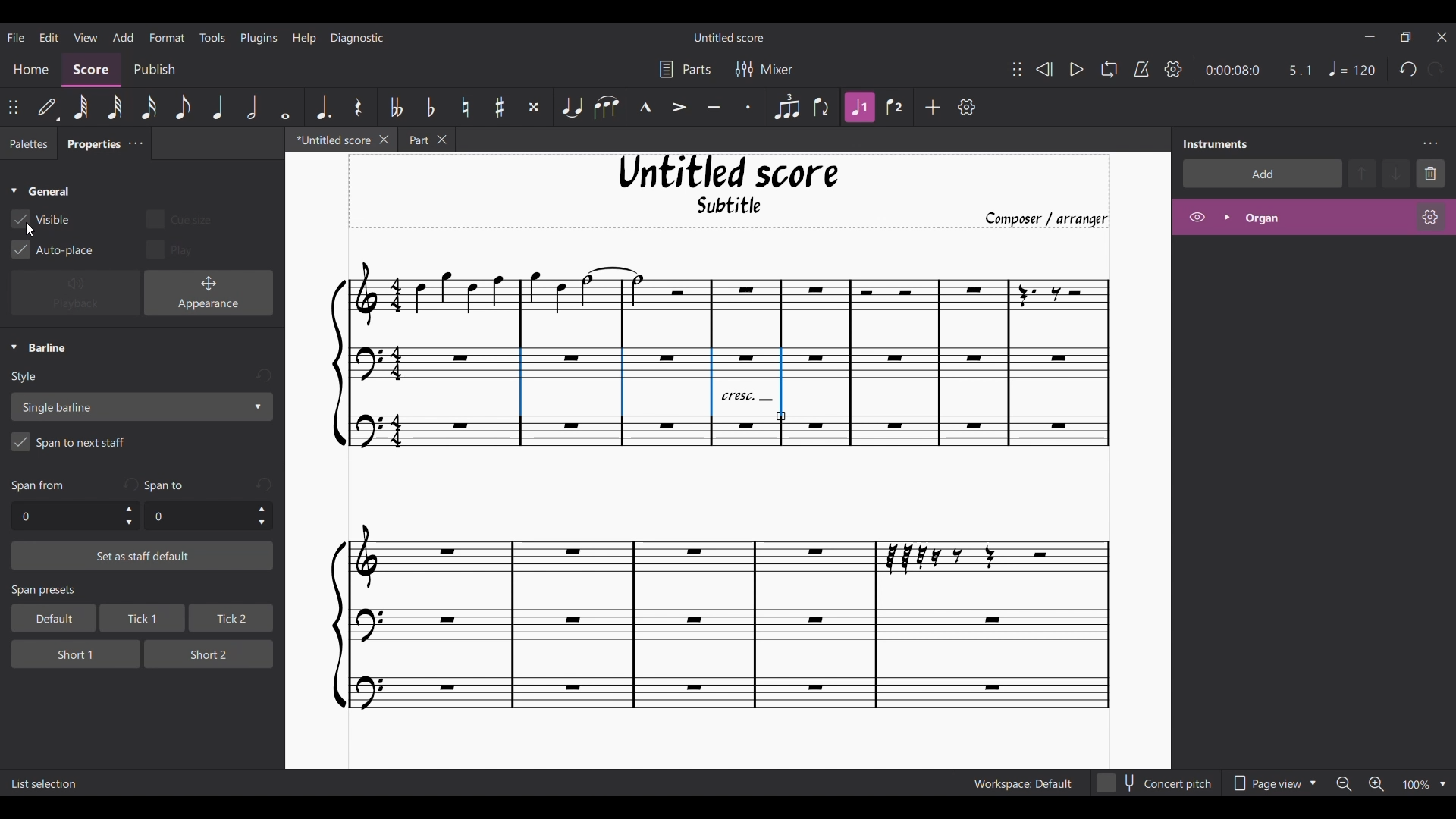 Image resolution: width=1456 pixels, height=819 pixels. I want to click on Show interface in a smaller tab, so click(1405, 37).